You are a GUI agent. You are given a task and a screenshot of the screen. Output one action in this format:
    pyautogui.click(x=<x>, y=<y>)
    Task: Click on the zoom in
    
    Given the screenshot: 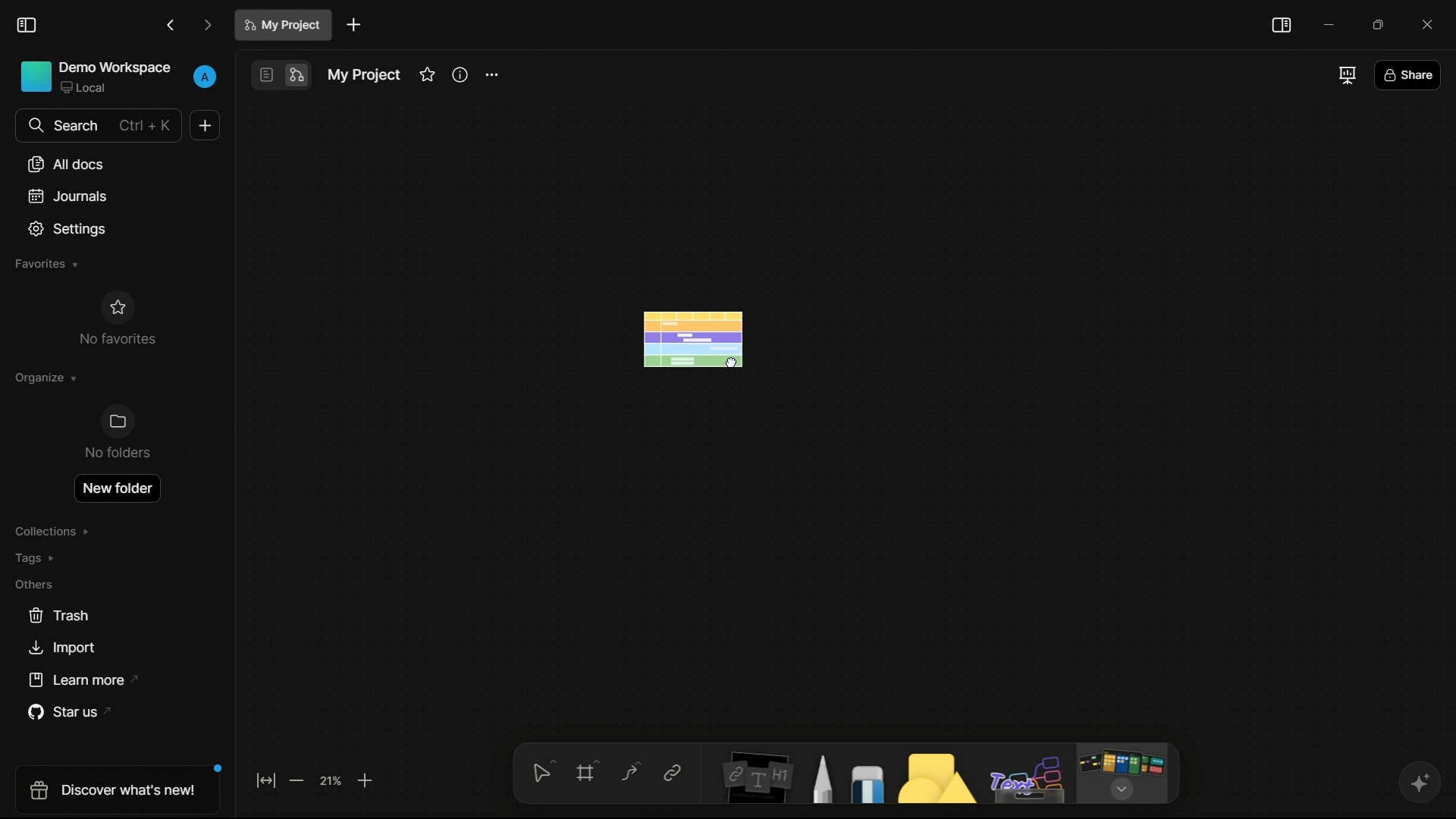 What is the action you would take?
    pyautogui.click(x=366, y=782)
    